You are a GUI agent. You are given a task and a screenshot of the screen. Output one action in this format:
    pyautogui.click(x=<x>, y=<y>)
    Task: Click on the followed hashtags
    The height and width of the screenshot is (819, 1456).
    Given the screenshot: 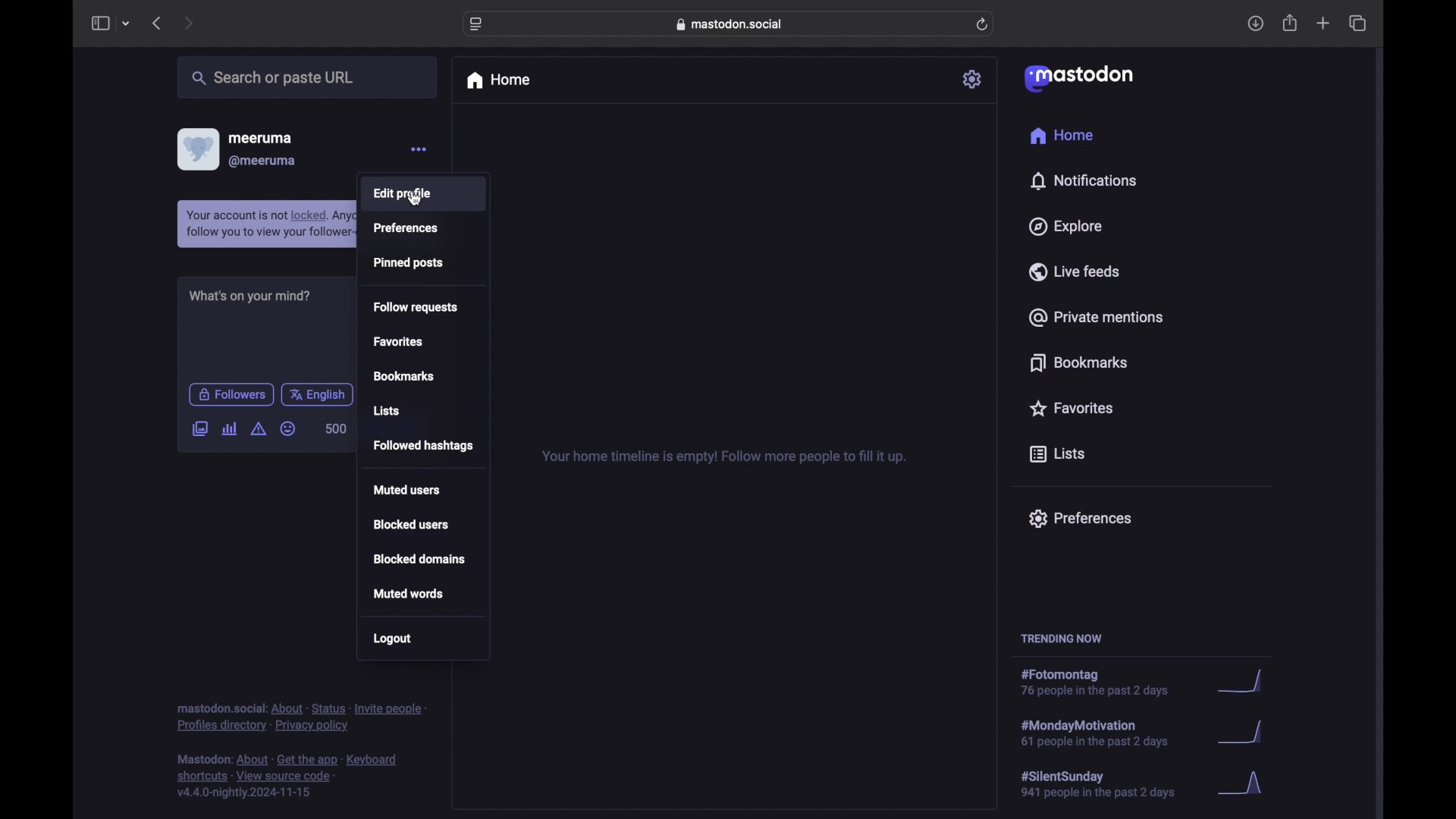 What is the action you would take?
    pyautogui.click(x=424, y=446)
    